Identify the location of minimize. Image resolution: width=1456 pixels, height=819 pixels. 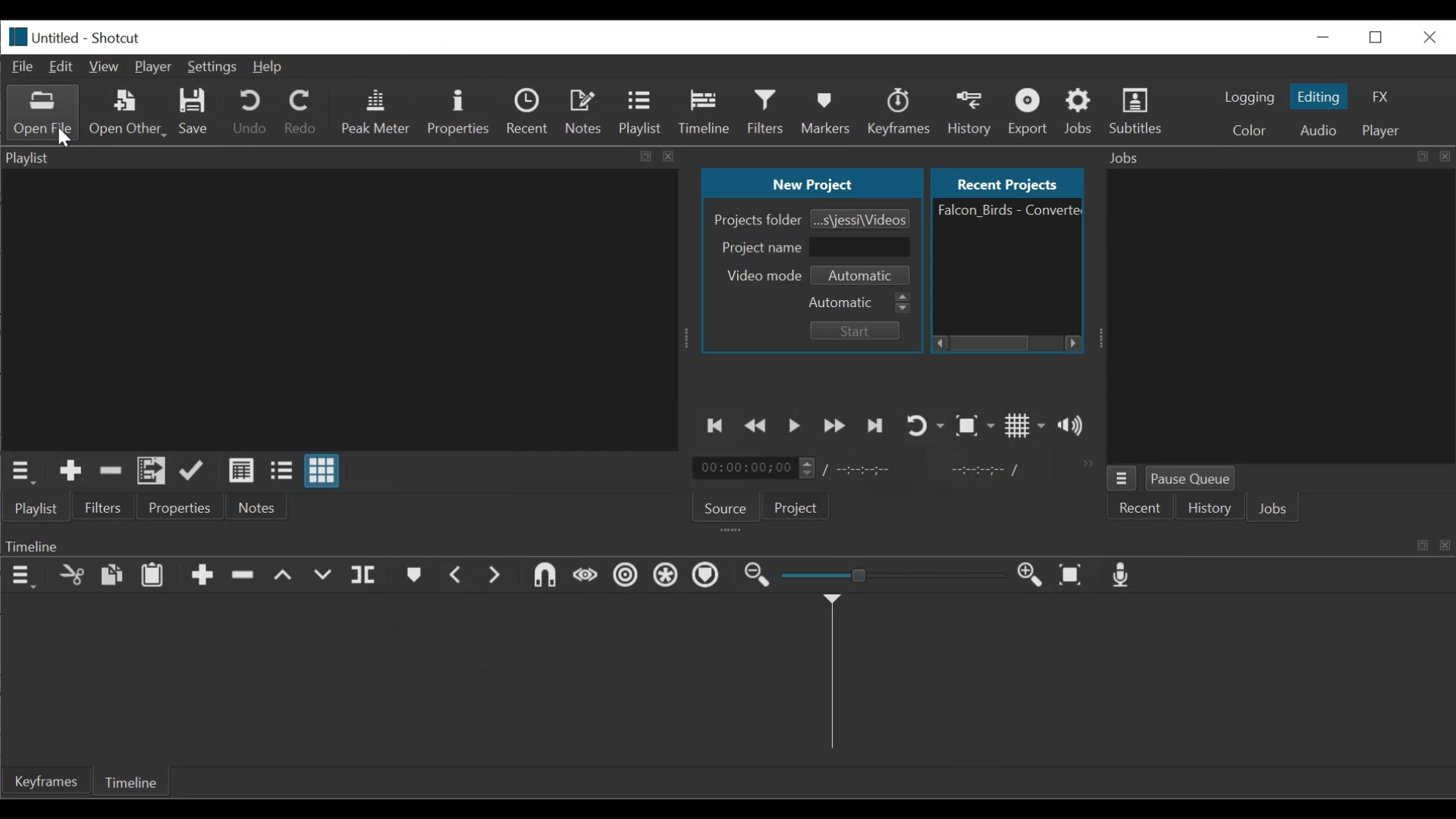
(1322, 37).